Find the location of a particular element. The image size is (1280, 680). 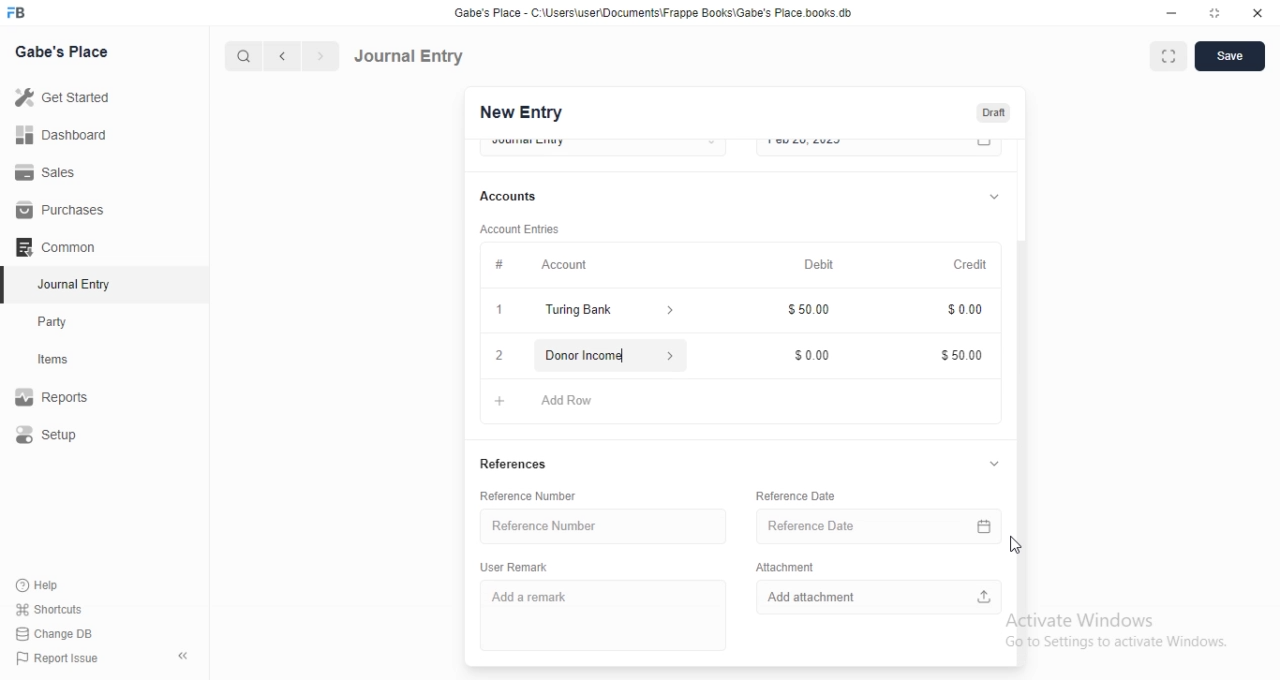

Common is located at coordinates (61, 247).